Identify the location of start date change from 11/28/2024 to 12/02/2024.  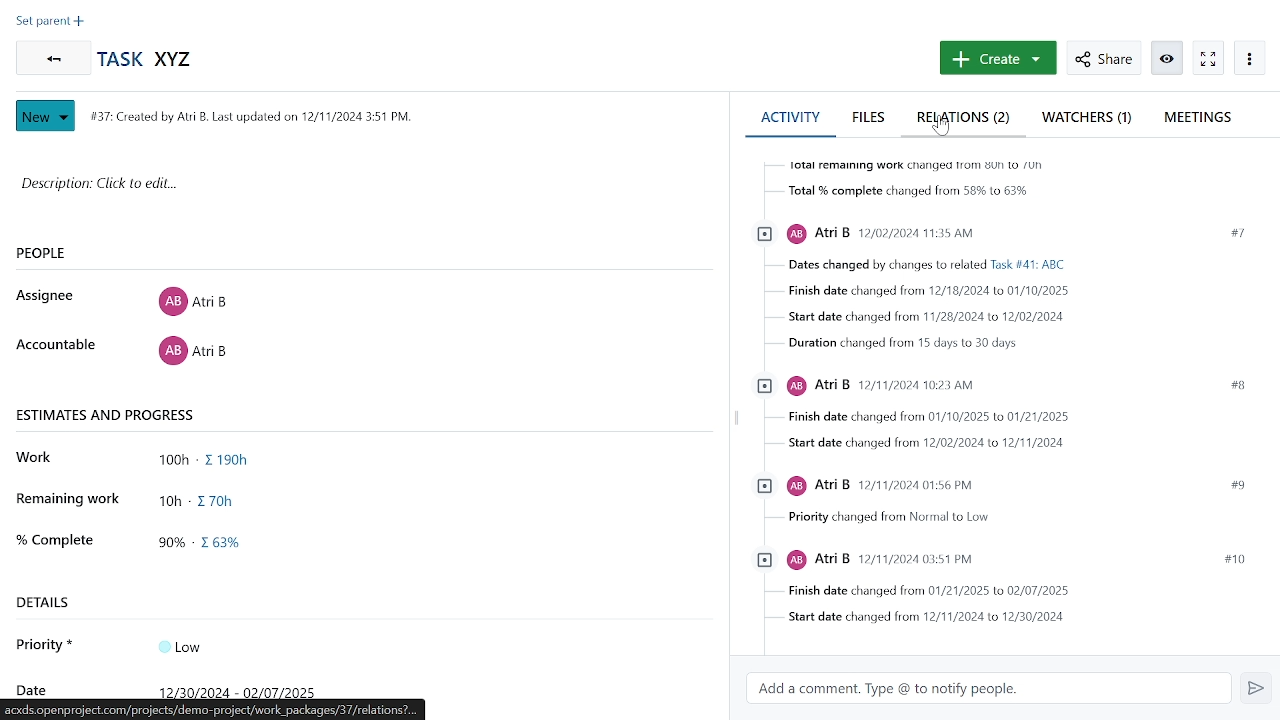
(919, 317).